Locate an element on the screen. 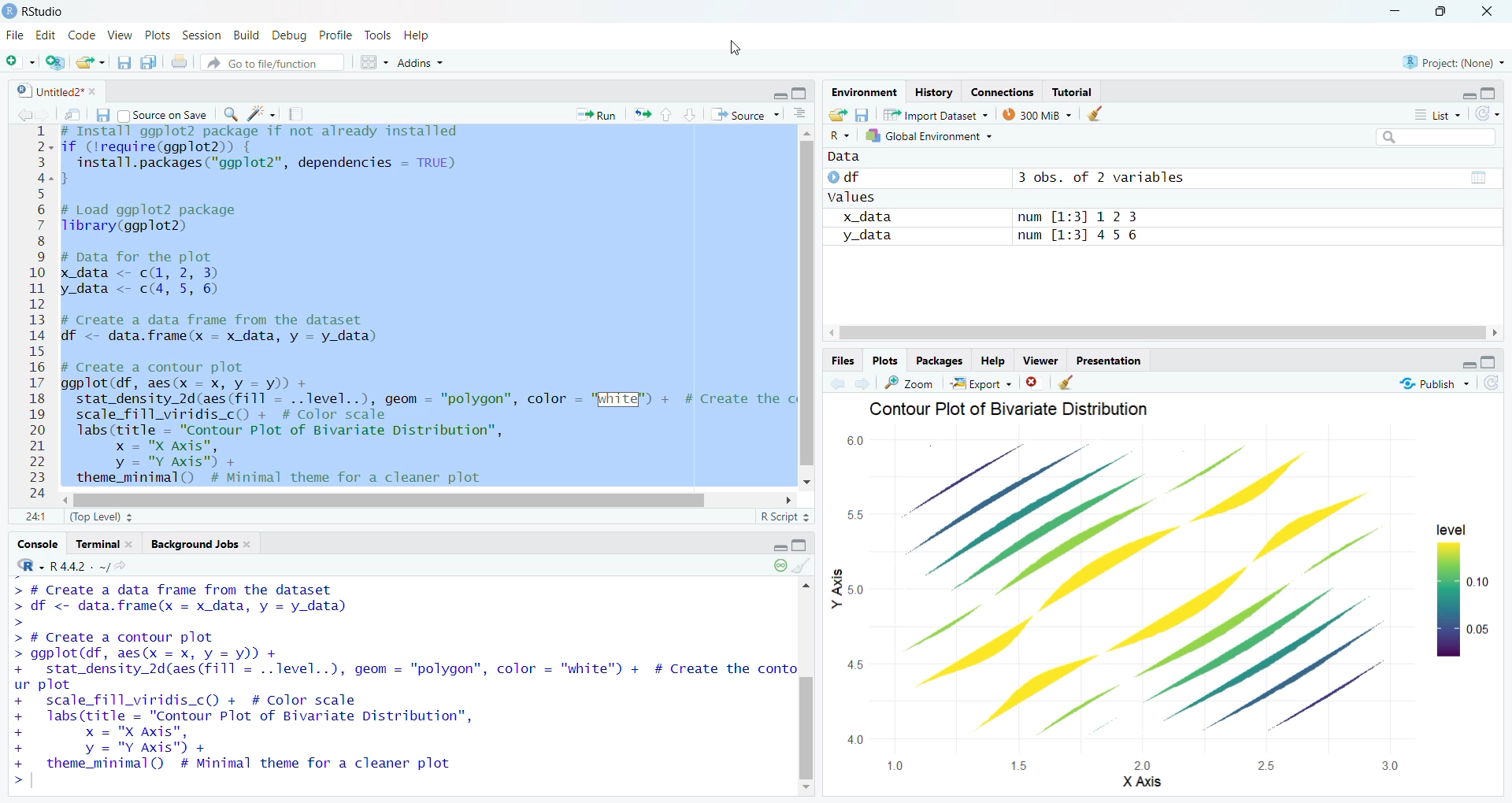 This screenshot has width=1512, height=803. Profile is located at coordinates (337, 35).